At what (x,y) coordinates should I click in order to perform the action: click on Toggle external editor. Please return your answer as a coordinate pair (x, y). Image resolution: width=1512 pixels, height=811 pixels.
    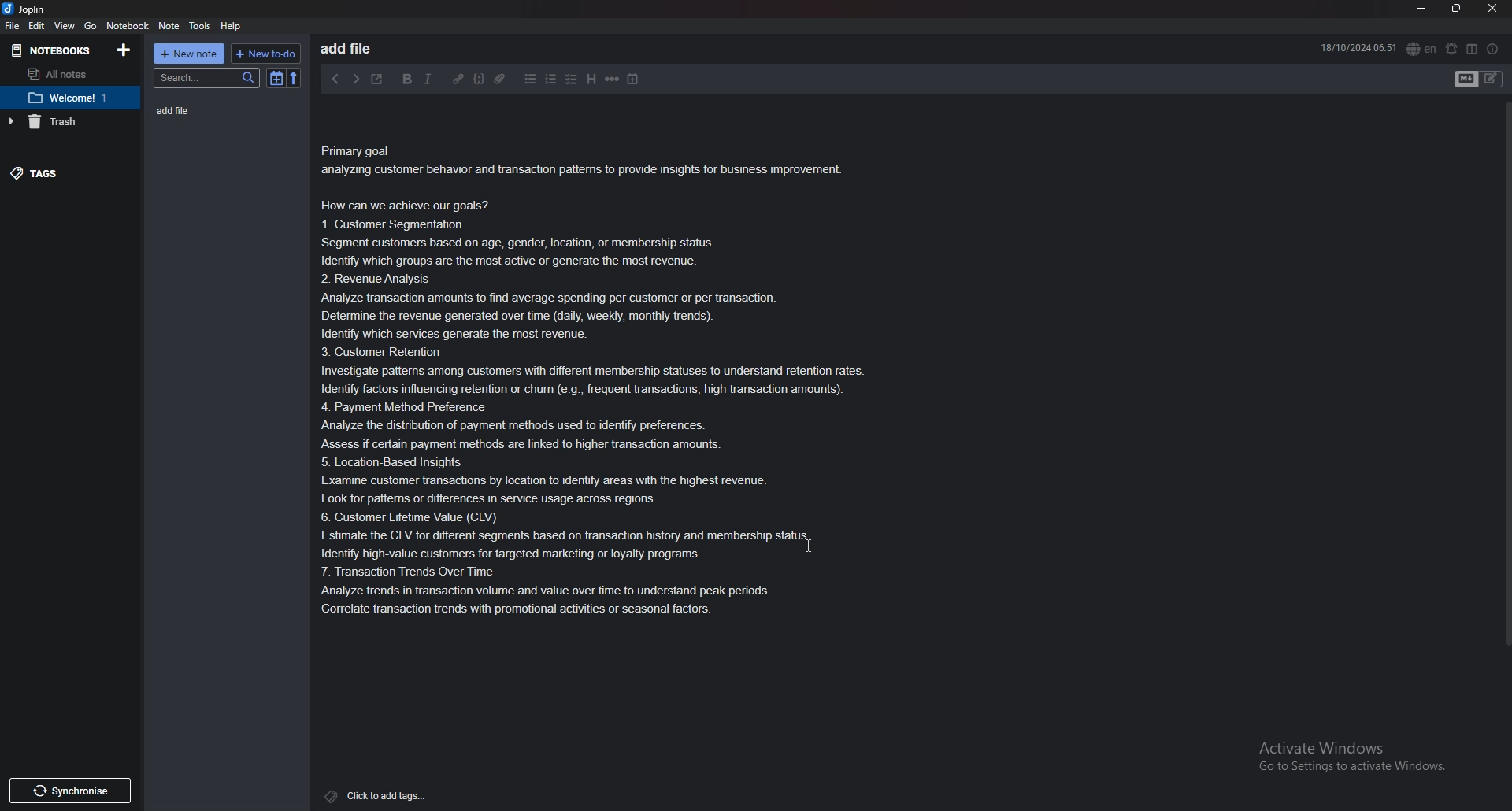
    Looking at the image, I should click on (377, 79).